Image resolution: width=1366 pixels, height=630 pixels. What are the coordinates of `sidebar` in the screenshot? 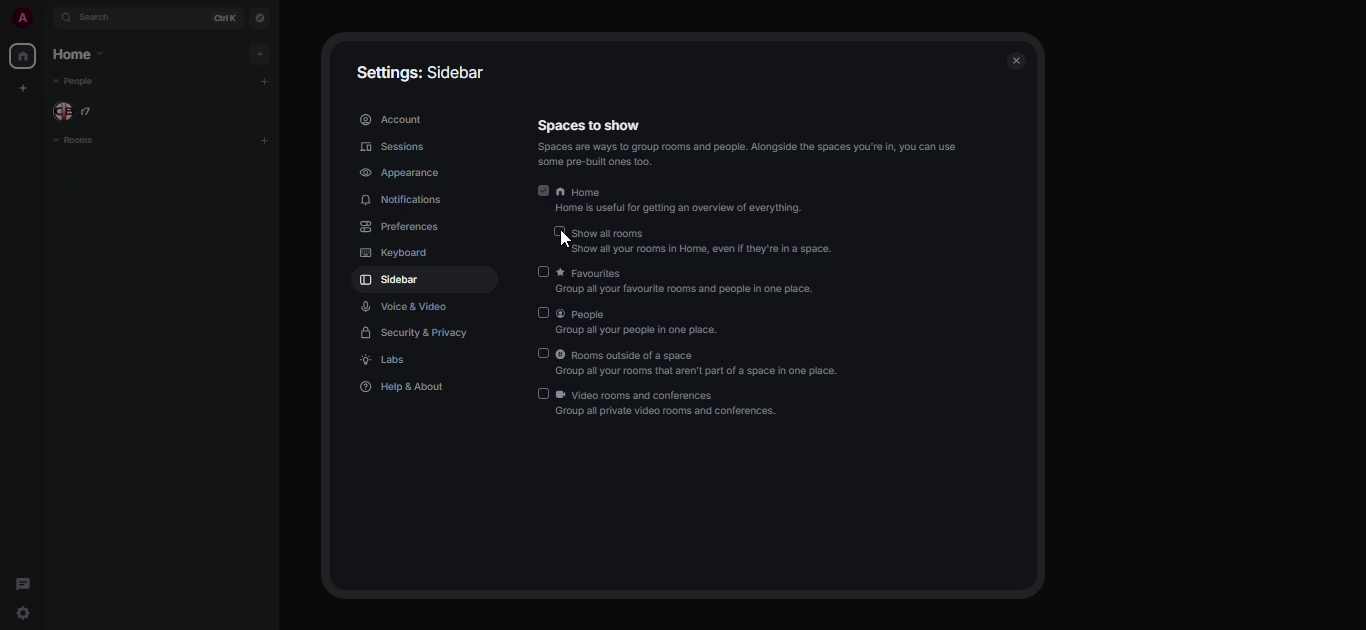 It's located at (393, 281).